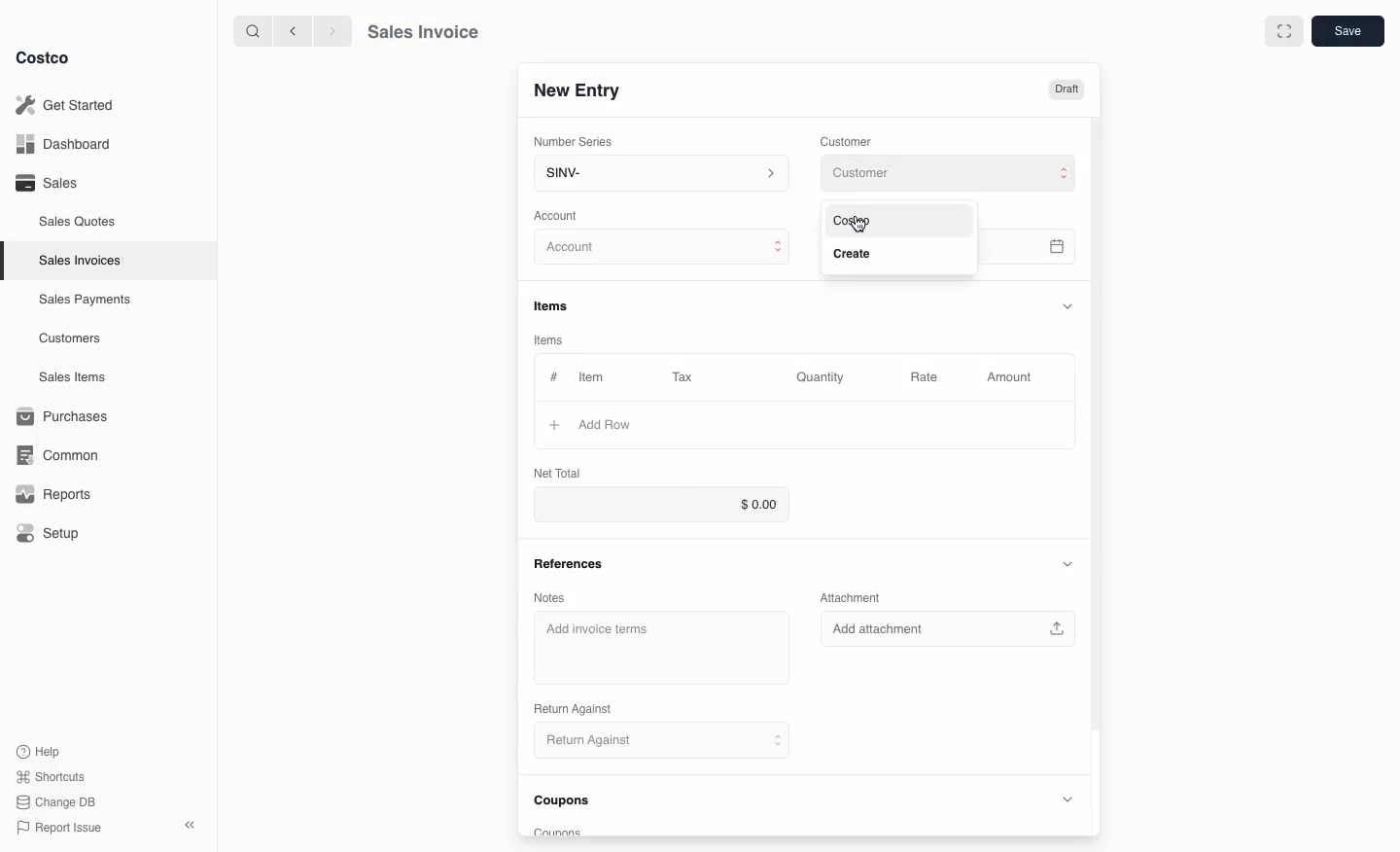 Image resolution: width=1400 pixels, height=852 pixels. Describe the element at coordinates (567, 563) in the screenshot. I see `References` at that location.